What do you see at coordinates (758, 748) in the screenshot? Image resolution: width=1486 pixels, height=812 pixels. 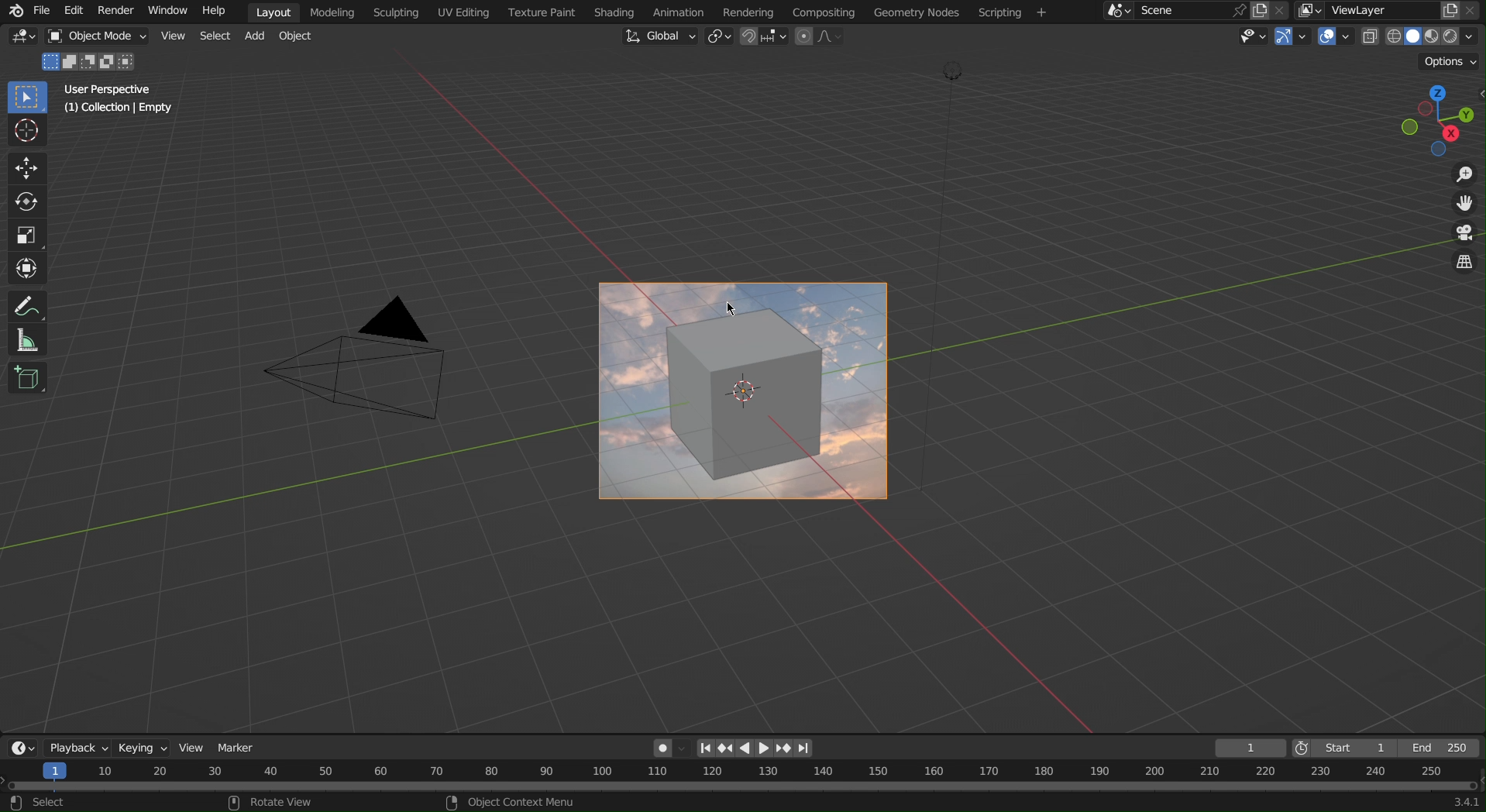 I see `Controls` at bounding box center [758, 748].